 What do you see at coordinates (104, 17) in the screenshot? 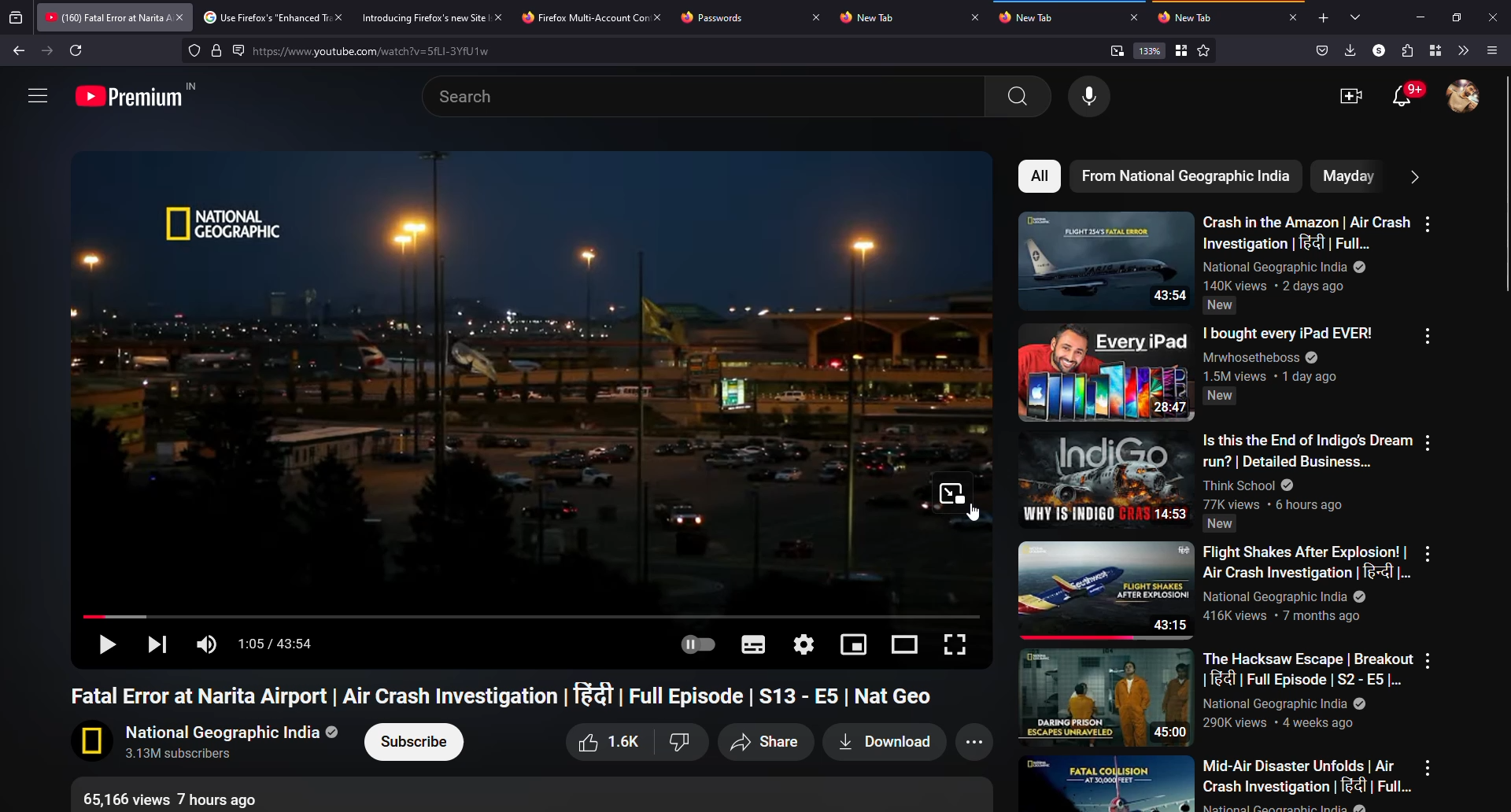
I see `YouTube tab` at bounding box center [104, 17].